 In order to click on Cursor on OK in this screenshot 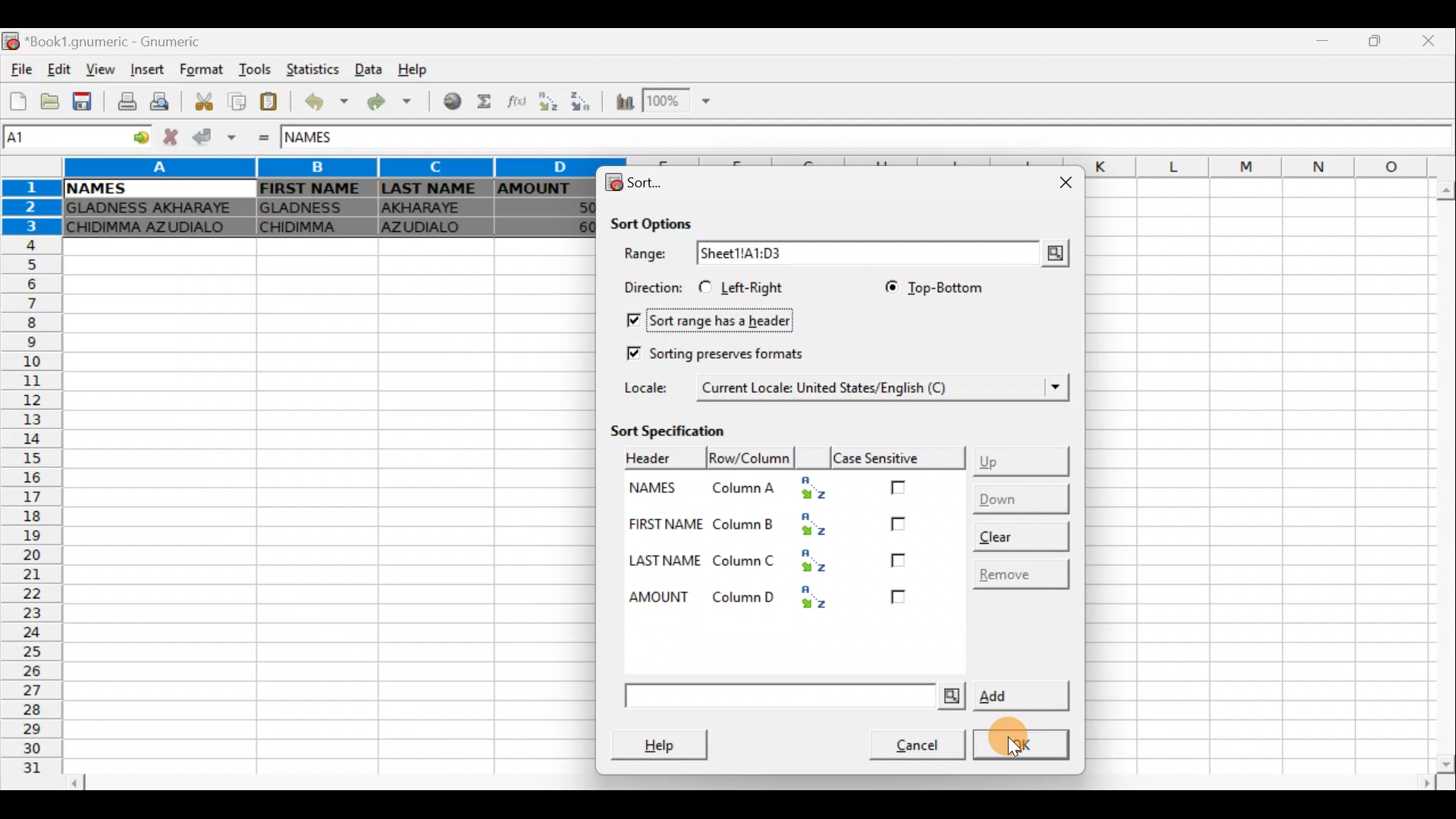, I will do `click(1024, 738)`.